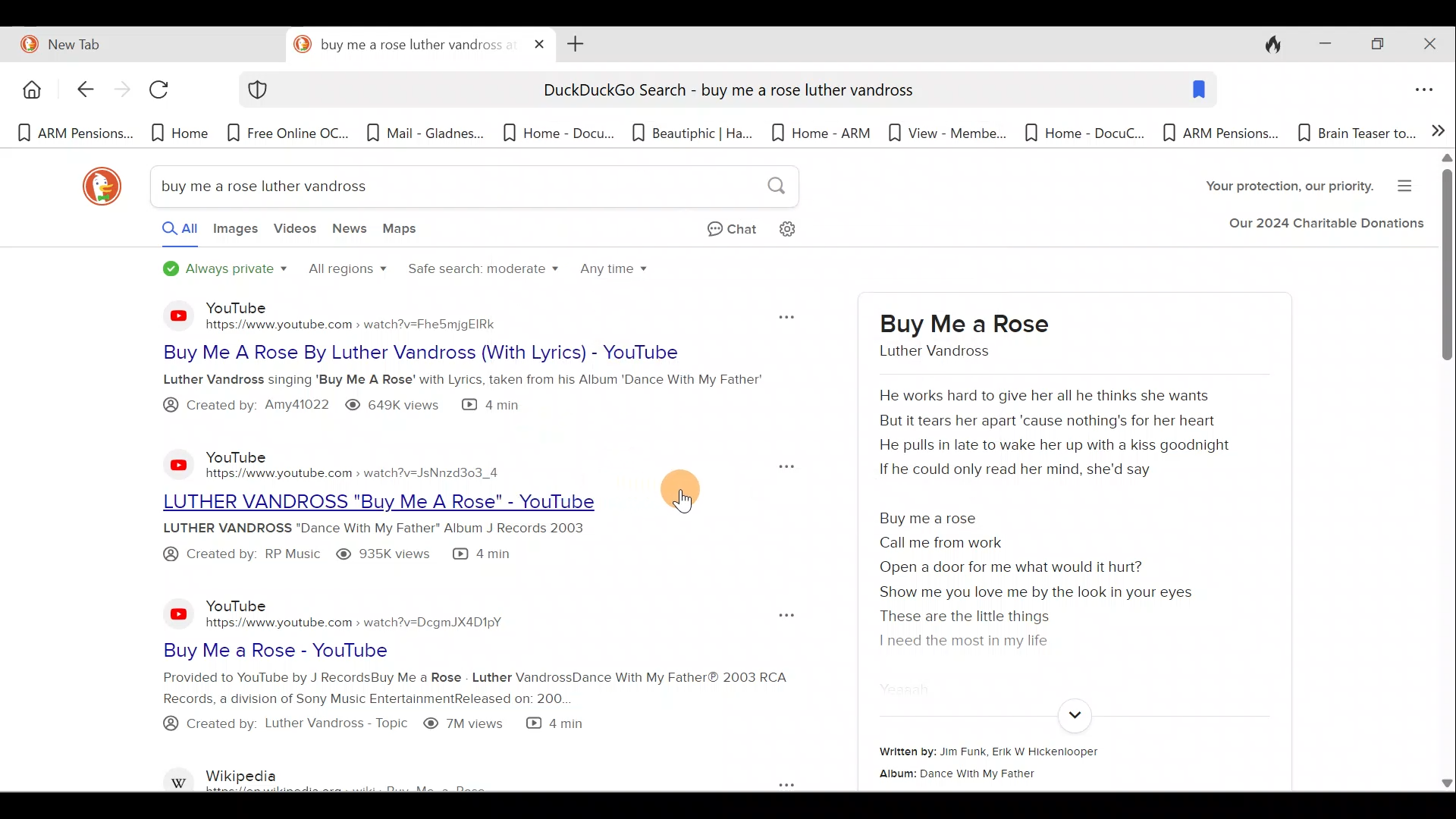  What do you see at coordinates (466, 394) in the screenshot?
I see `Luther Vandross singing 'Buy Me A Rose’ with Lyrics, taken from his Album 'Dance With My Father
@ Created by: Amya1022 ® 649K views (2 4 min` at bounding box center [466, 394].